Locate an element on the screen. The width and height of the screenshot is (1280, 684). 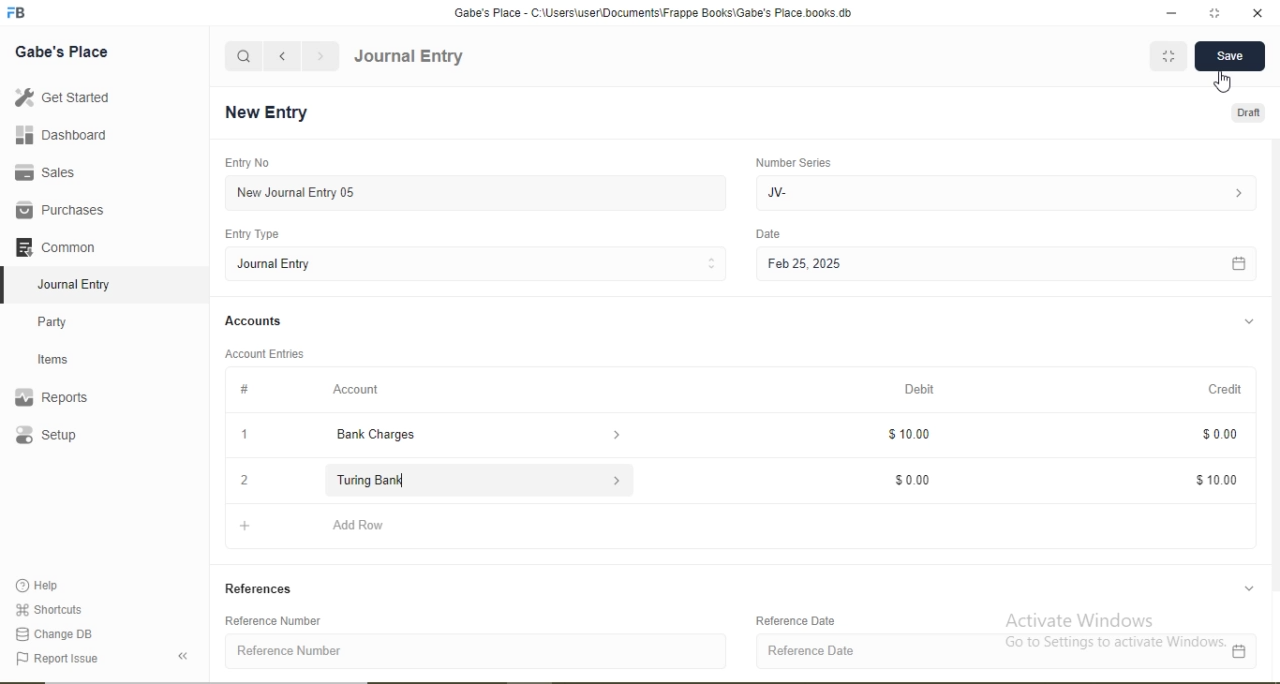
resize is located at coordinates (1212, 13).